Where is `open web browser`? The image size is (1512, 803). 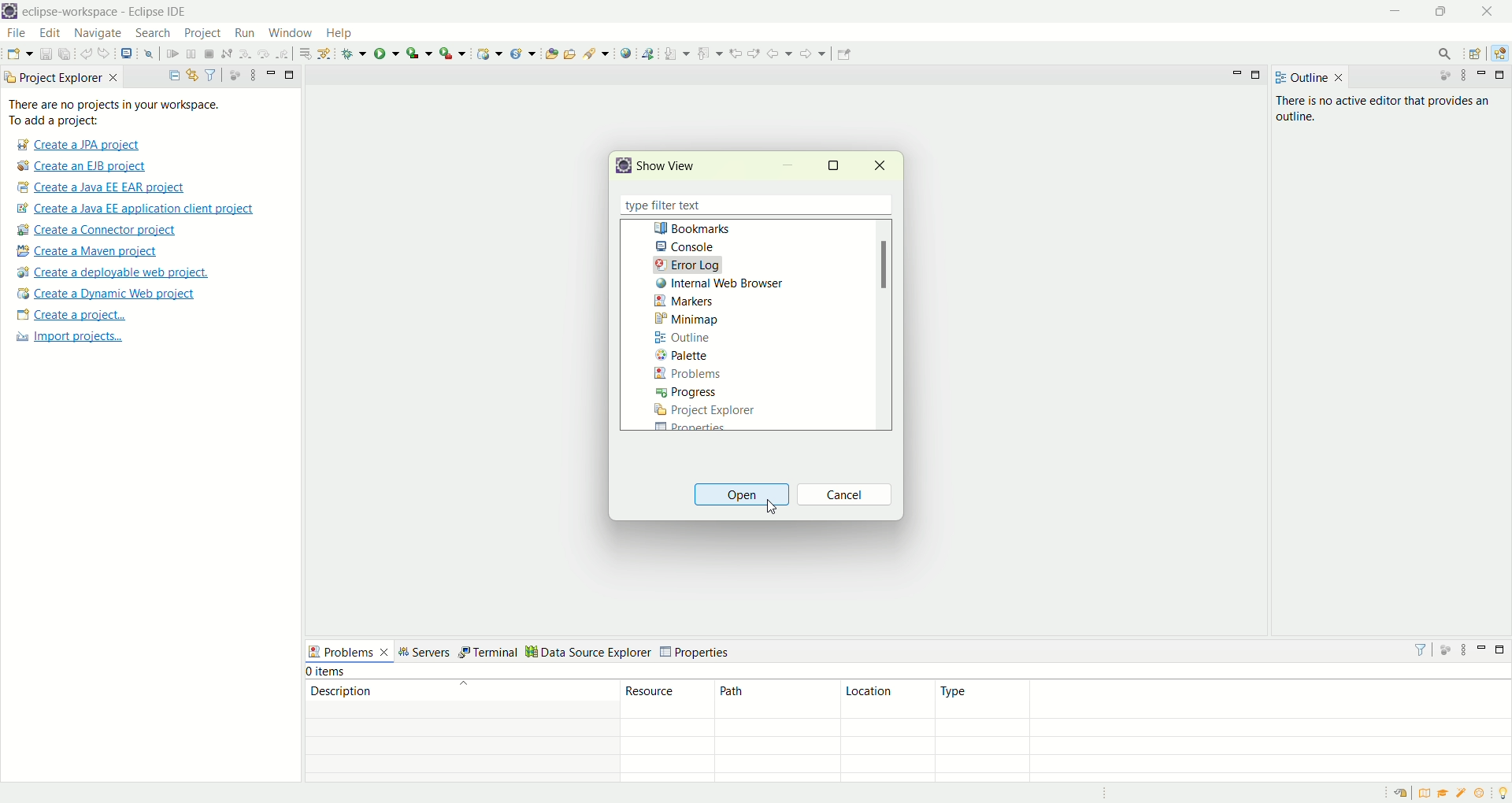 open web browser is located at coordinates (626, 54).